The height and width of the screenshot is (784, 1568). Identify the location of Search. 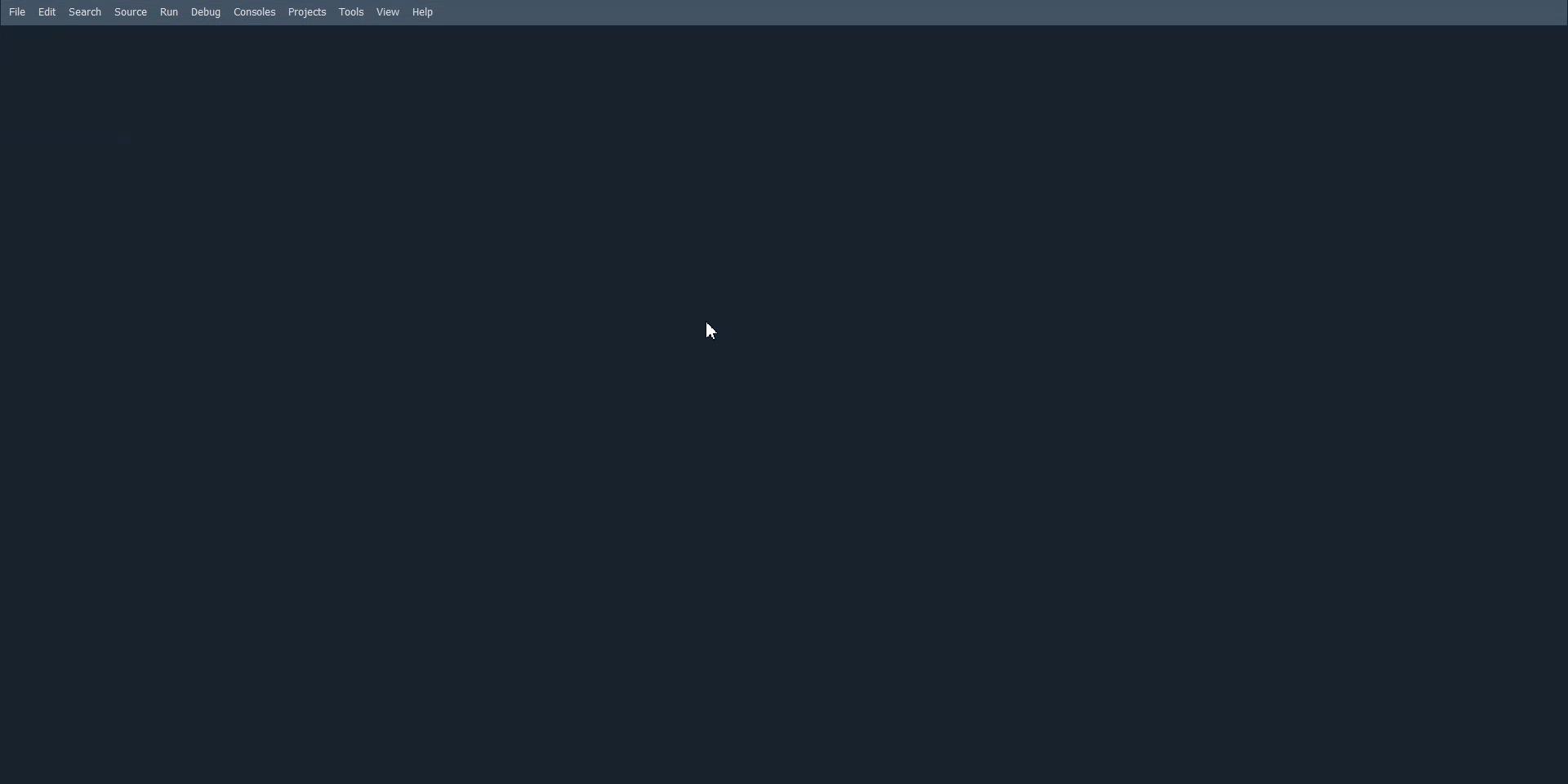
(86, 12).